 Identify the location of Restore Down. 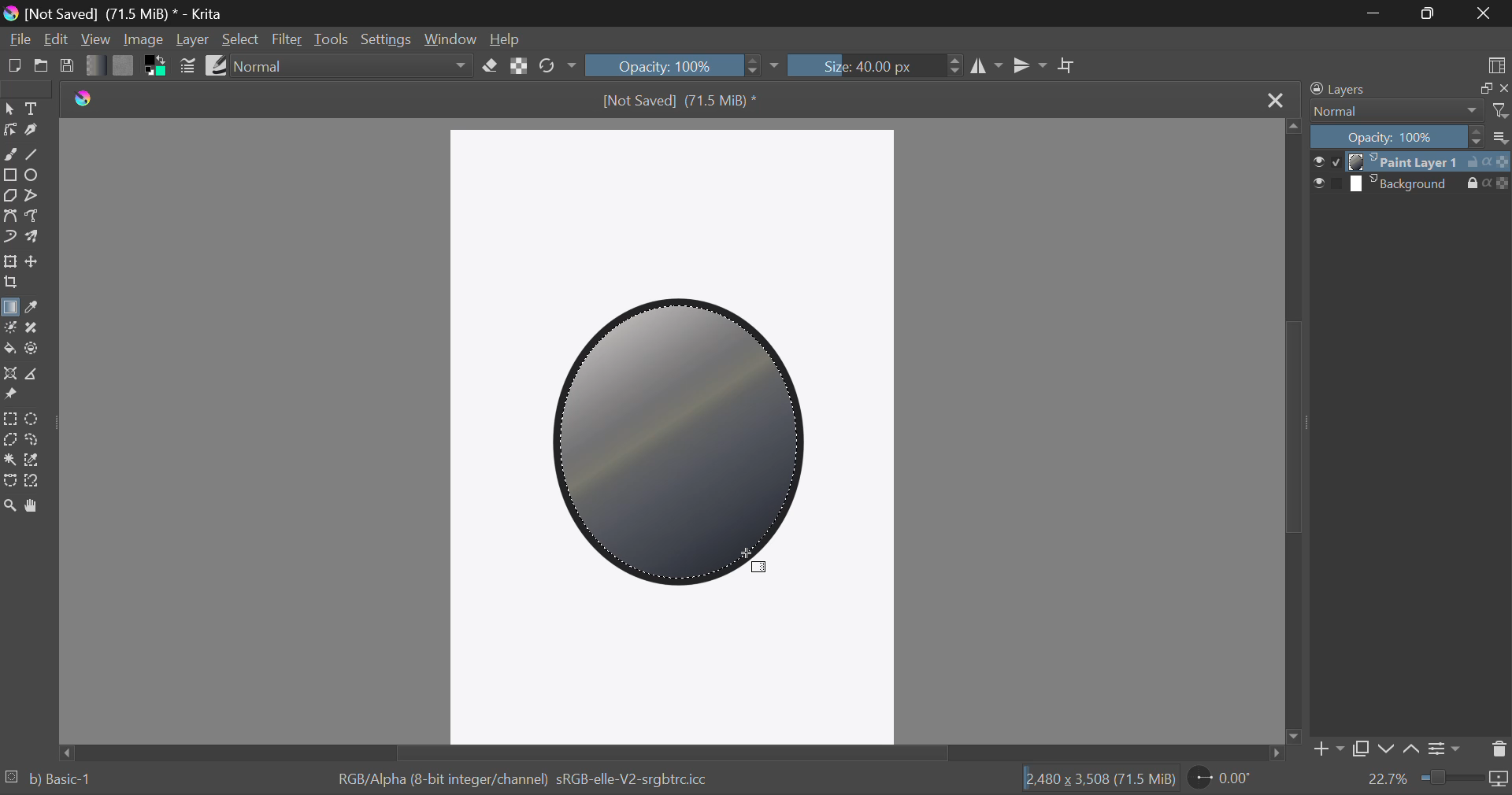
(1374, 14).